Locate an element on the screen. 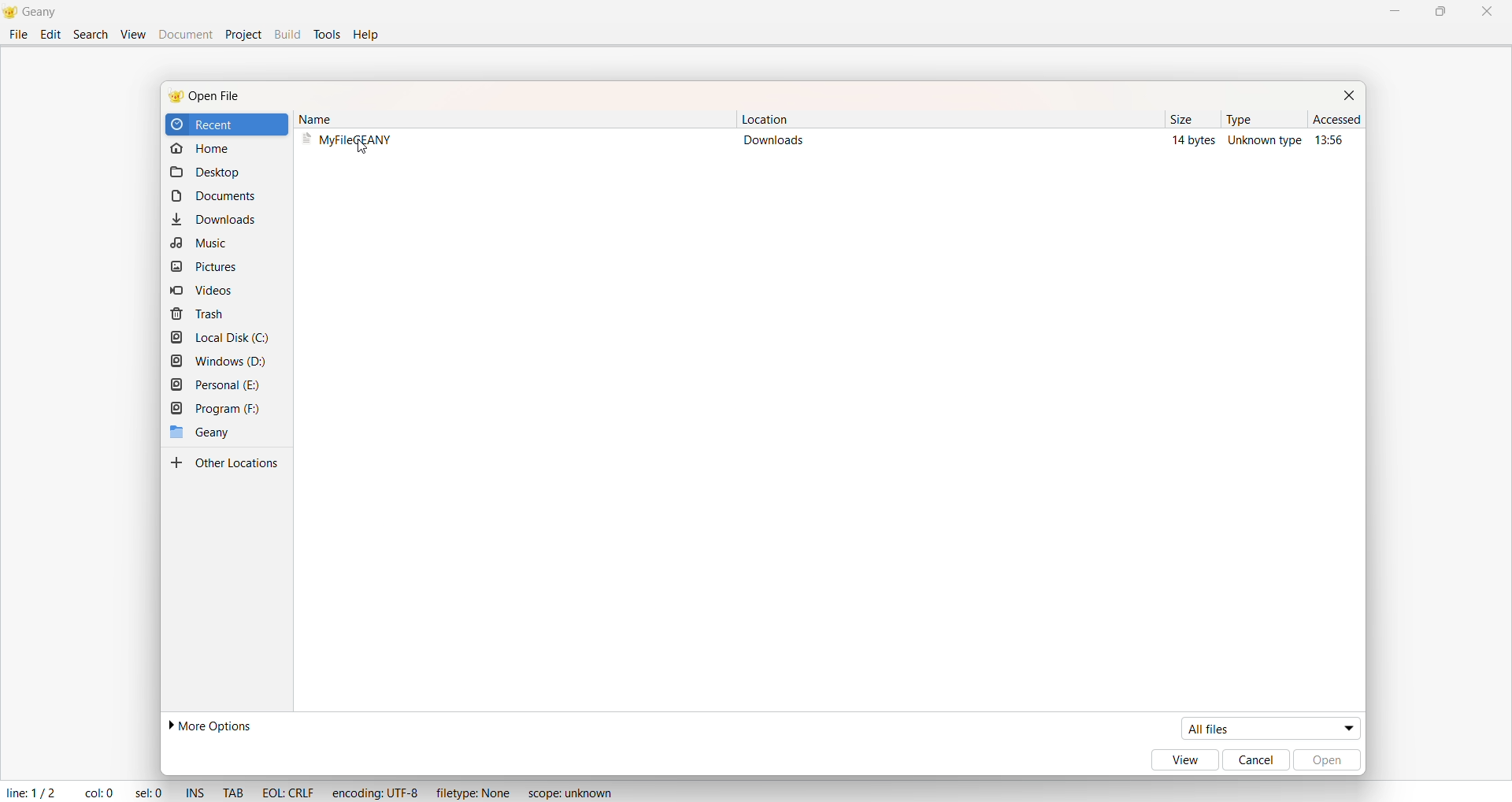  Logo is located at coordinates (9, 13).